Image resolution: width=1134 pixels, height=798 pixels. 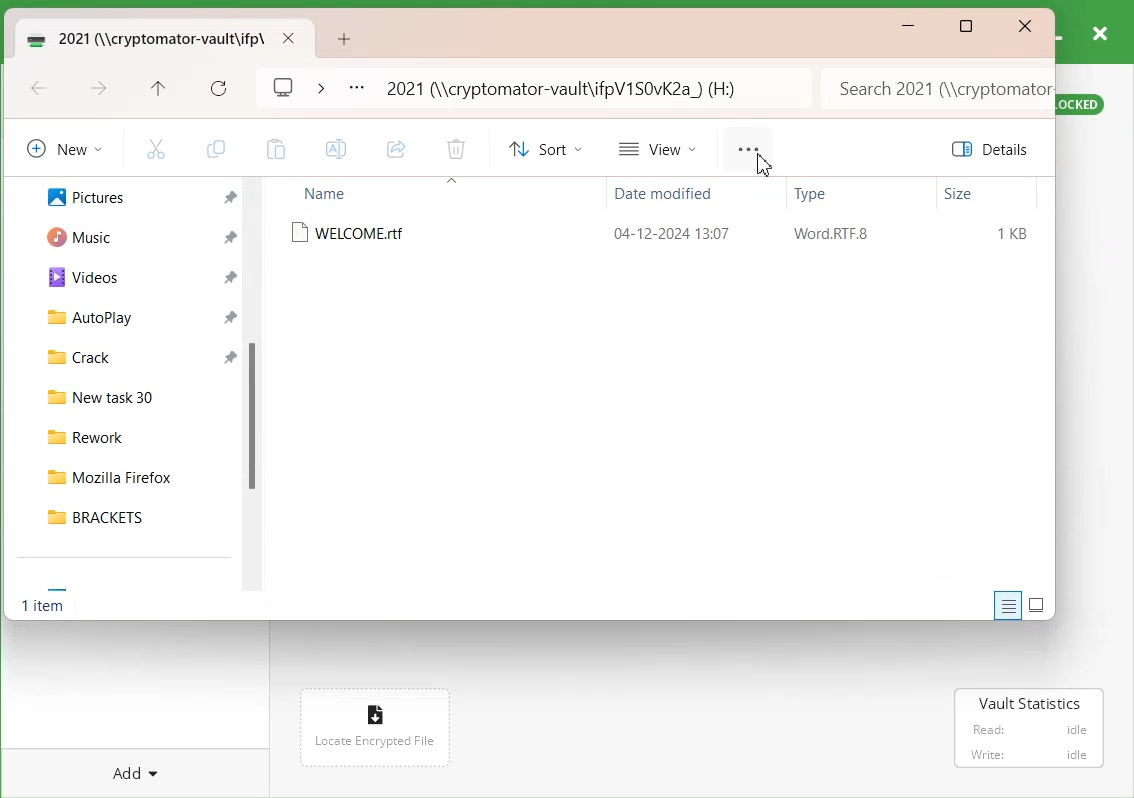 I want to click on Display information about each item to the window, so click(x=1008, y=605).